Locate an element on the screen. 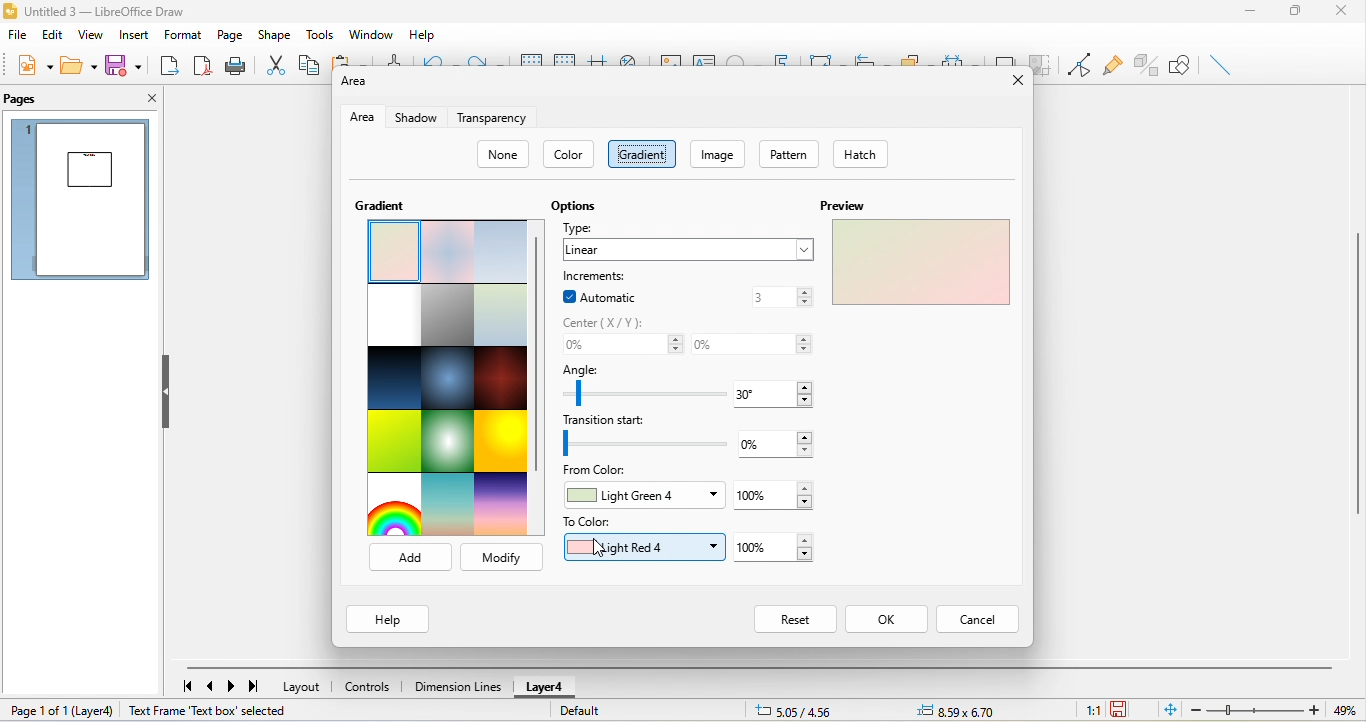 This screenshot has width=1366, height=722. align object  is located at coordinates (868, 57).